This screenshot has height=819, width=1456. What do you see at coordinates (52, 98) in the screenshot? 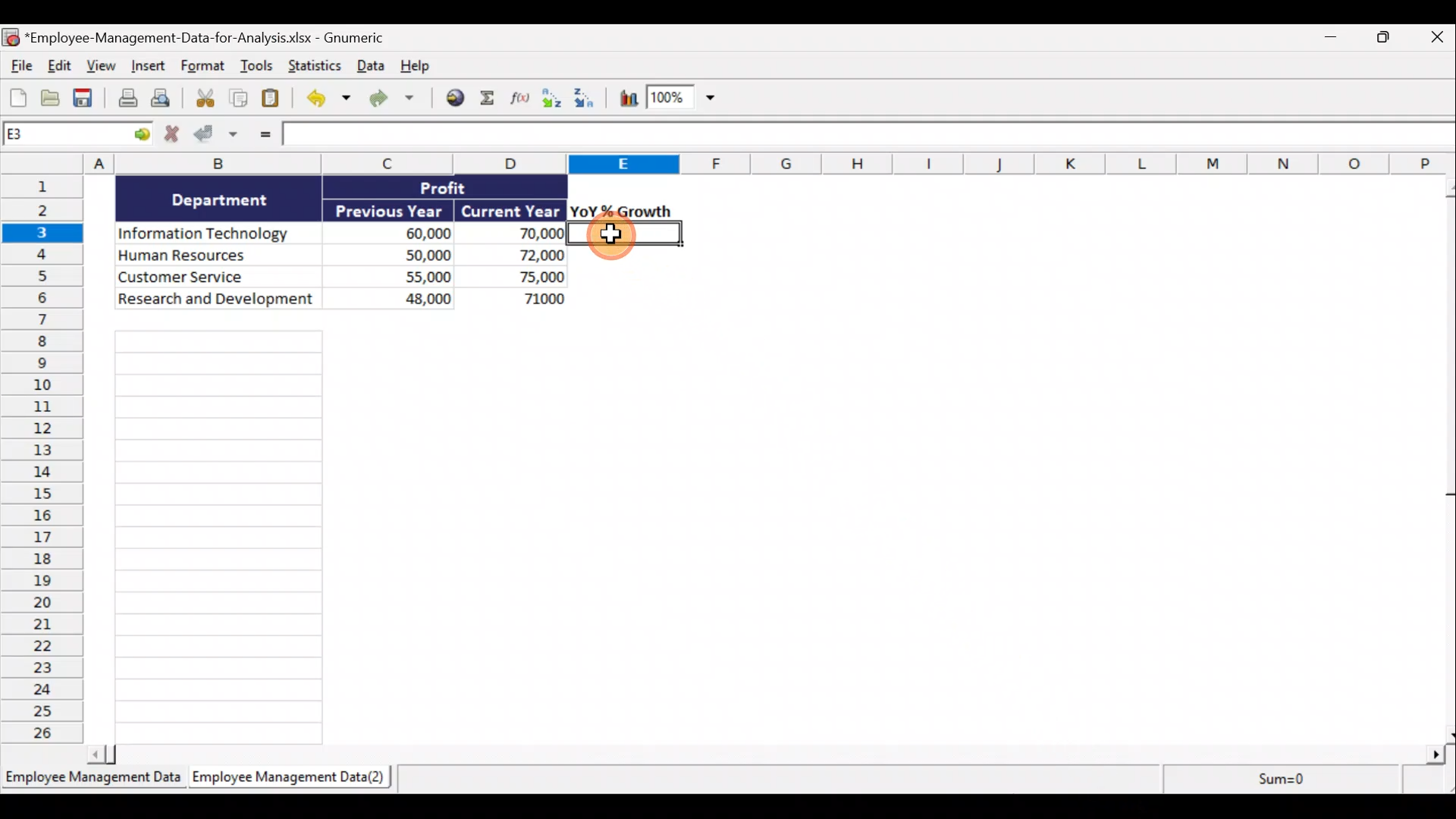
I see `Open a file` at bounding box center [52, 98].